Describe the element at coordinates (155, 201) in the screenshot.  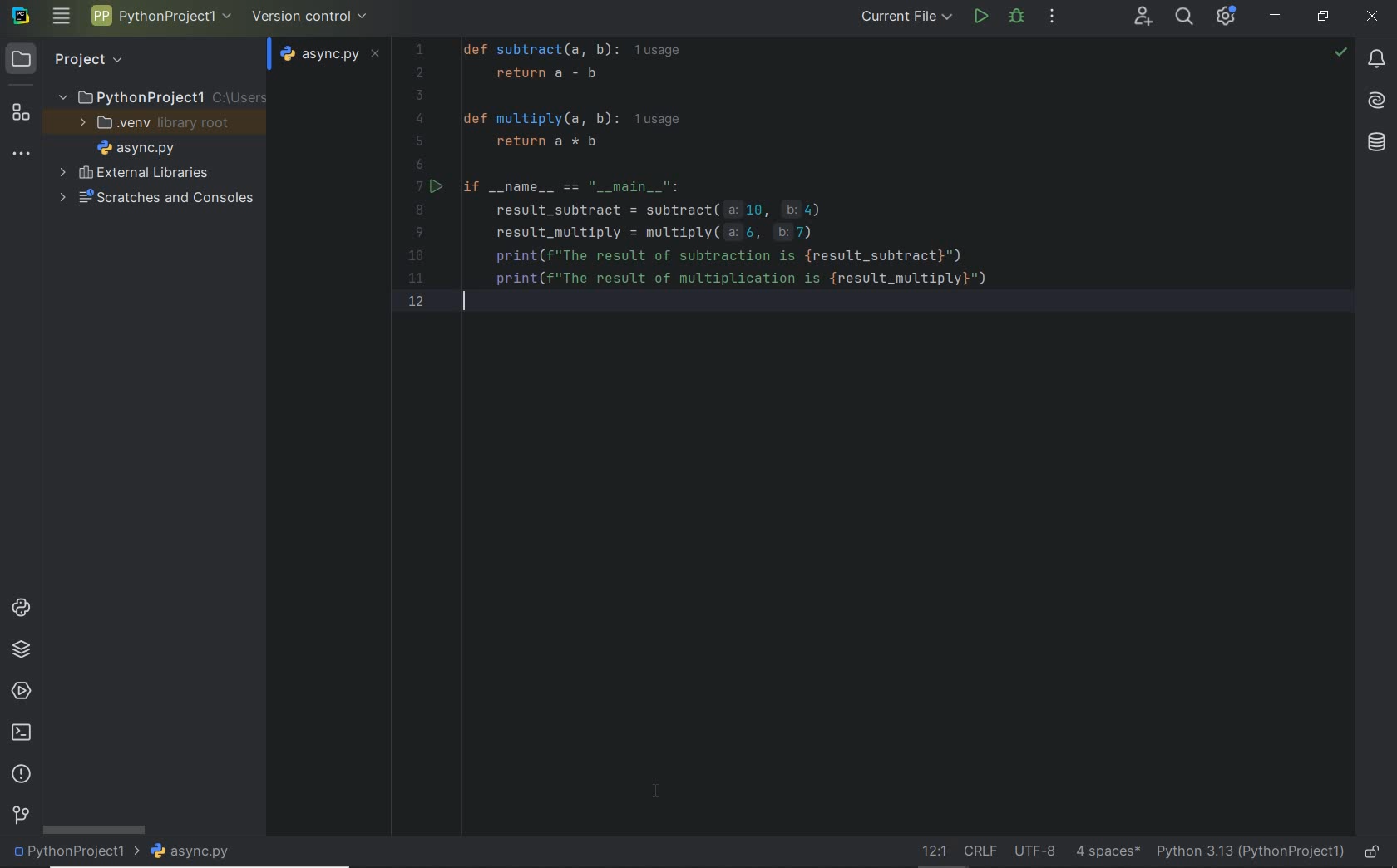
I see `scratches and consoles` at that location.